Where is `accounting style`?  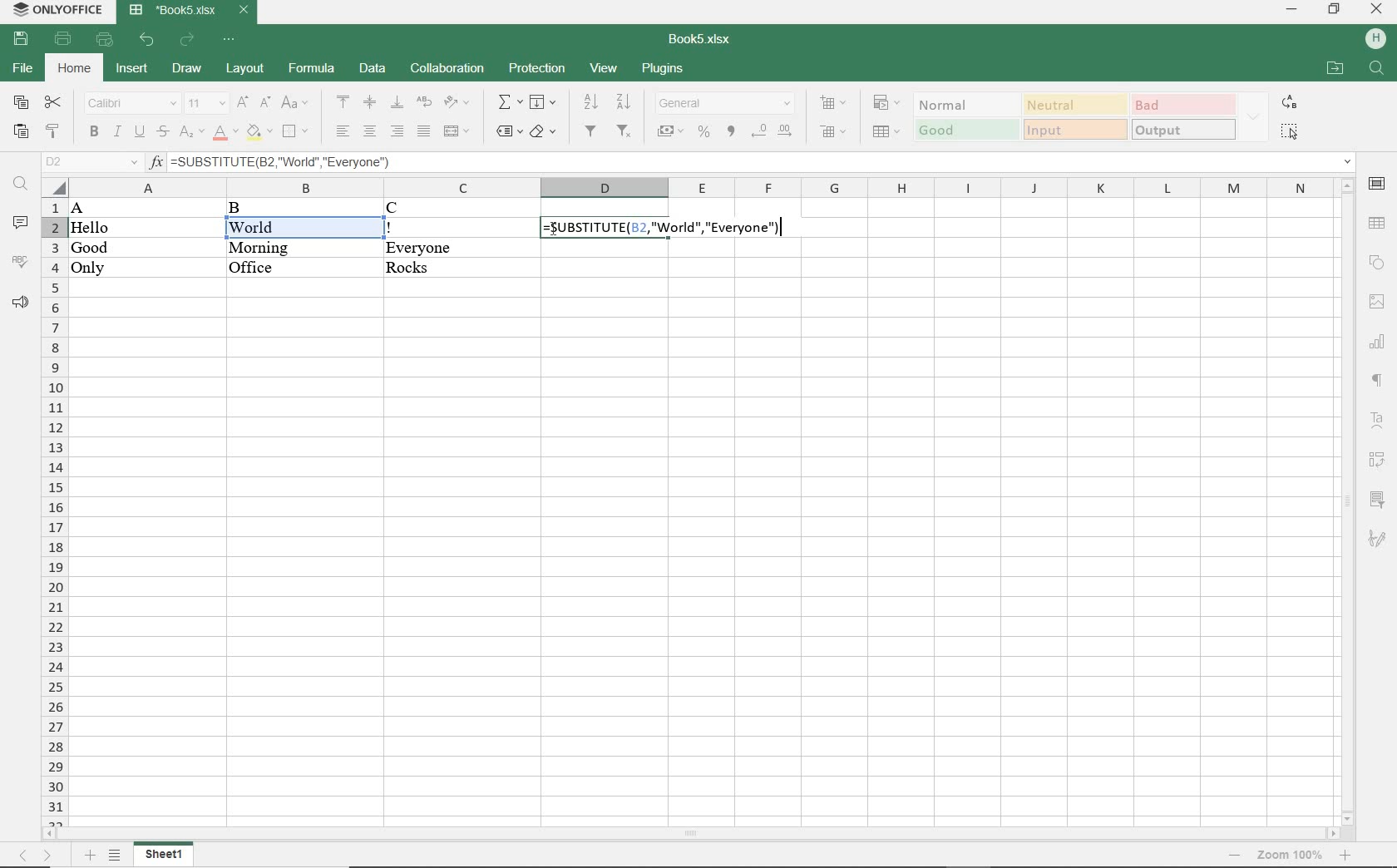 accounting style is located at coordinates (671, 133).